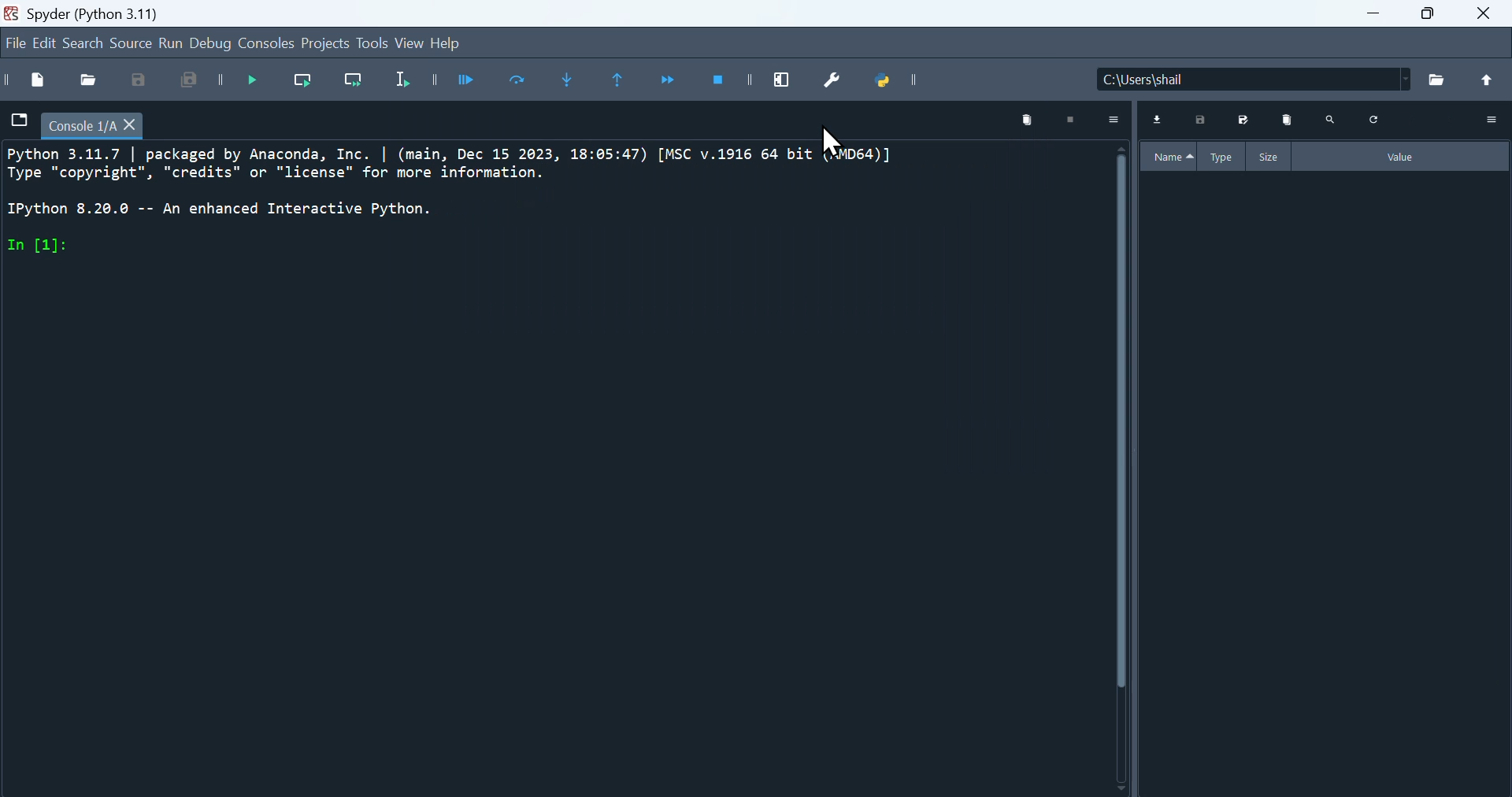 Image resolution: width=1512 pixels, height=797 pixels. I want to click on Continue execution until next function returns, so click(676, 82).